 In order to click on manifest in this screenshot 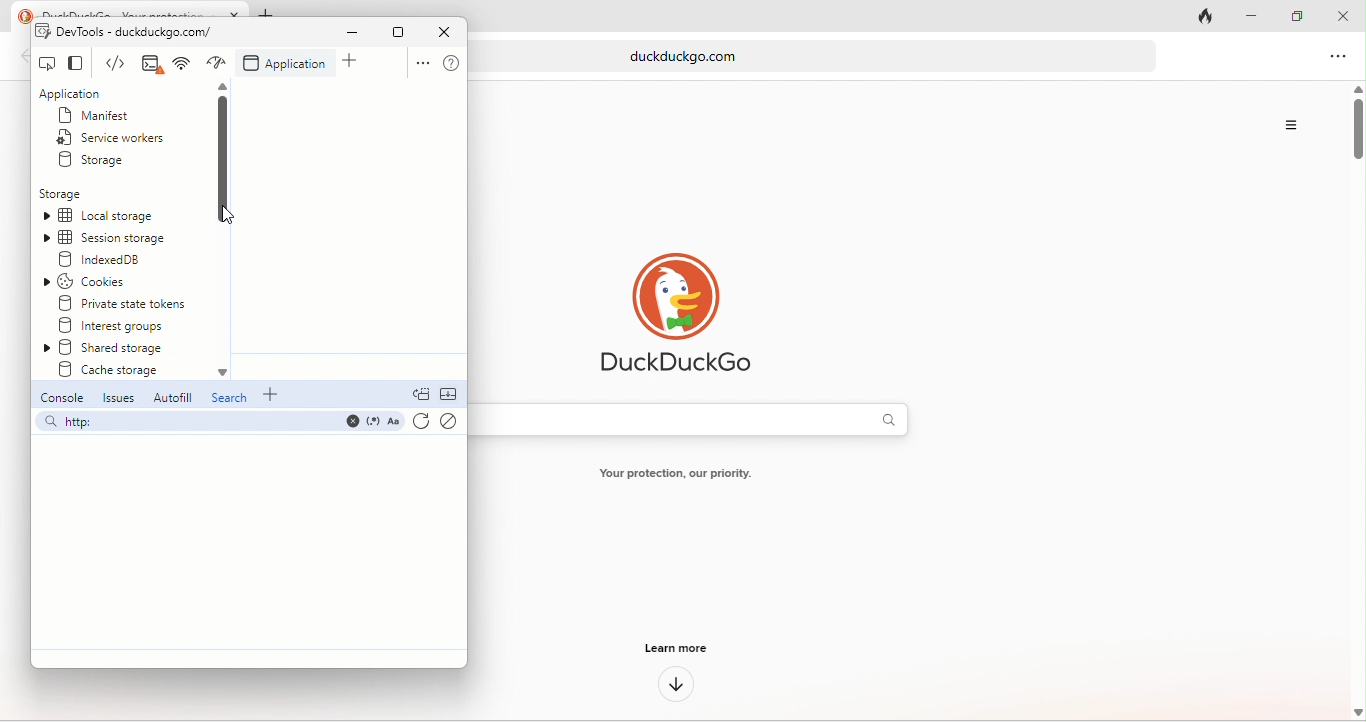, I will do `click(104, 119)`.